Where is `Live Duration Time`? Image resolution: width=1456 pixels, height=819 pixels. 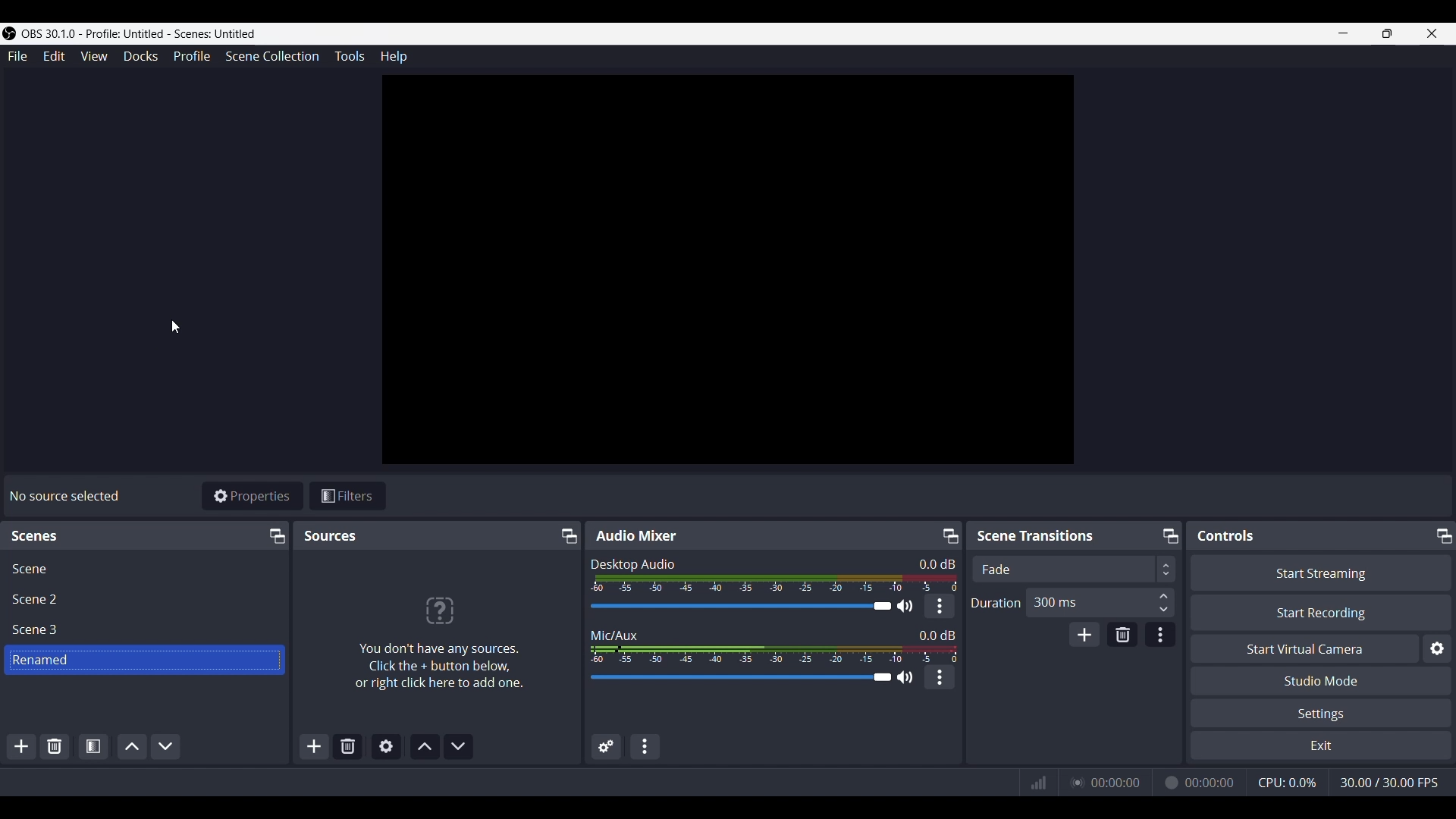 Live Duration Time is located at coordinates (1116, 783).